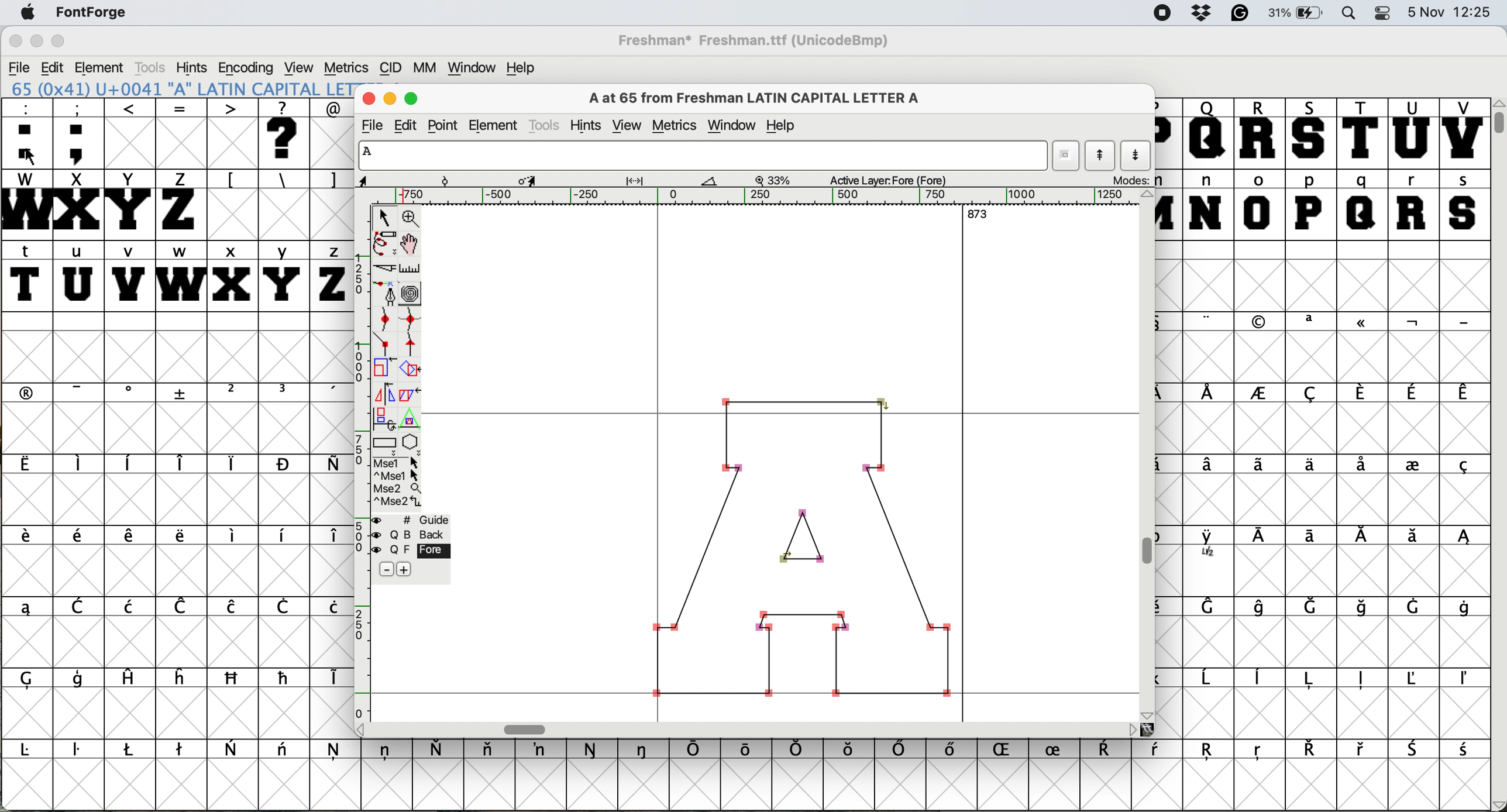 The image size is (1507, 812). Describe the element at coordinates (1208, 321) in the screenshot. I see `symbol` at that location.